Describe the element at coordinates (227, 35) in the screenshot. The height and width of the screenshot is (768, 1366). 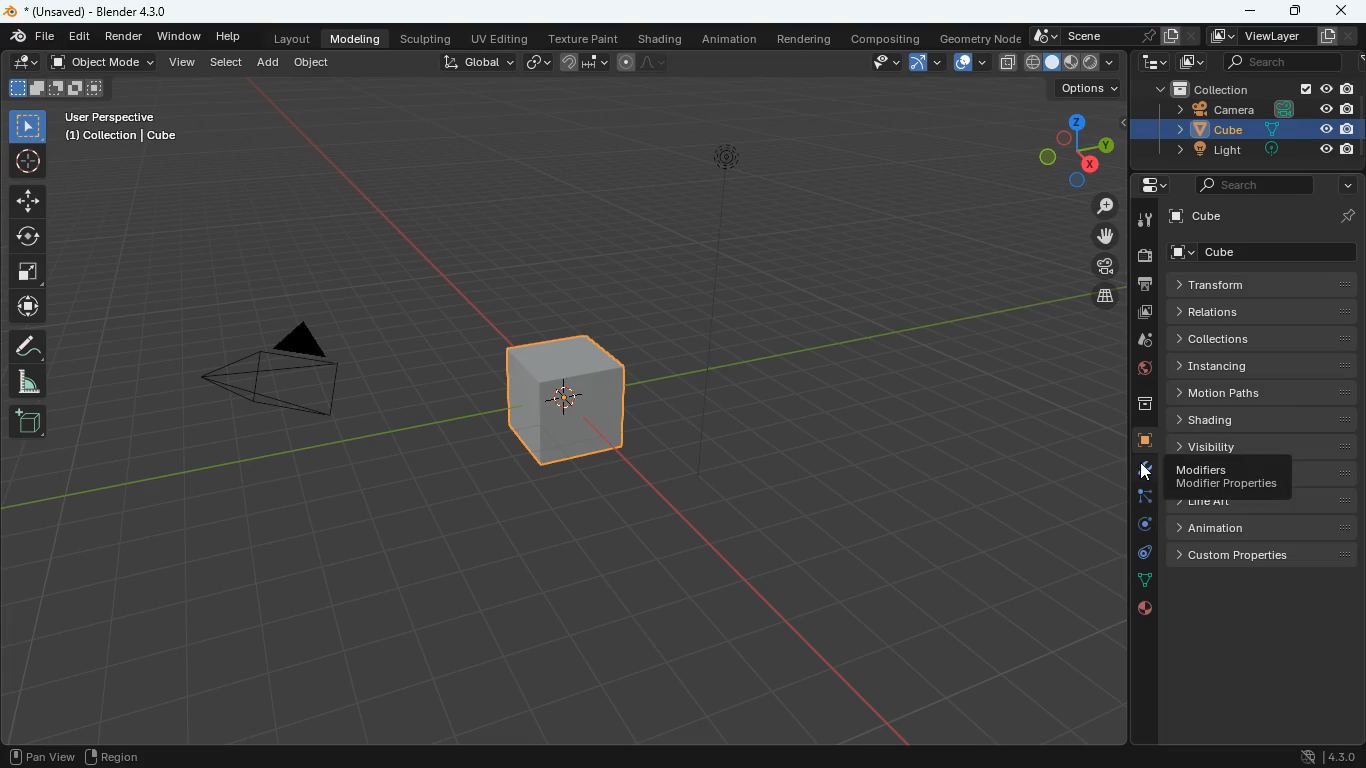
I see `help` at that location.